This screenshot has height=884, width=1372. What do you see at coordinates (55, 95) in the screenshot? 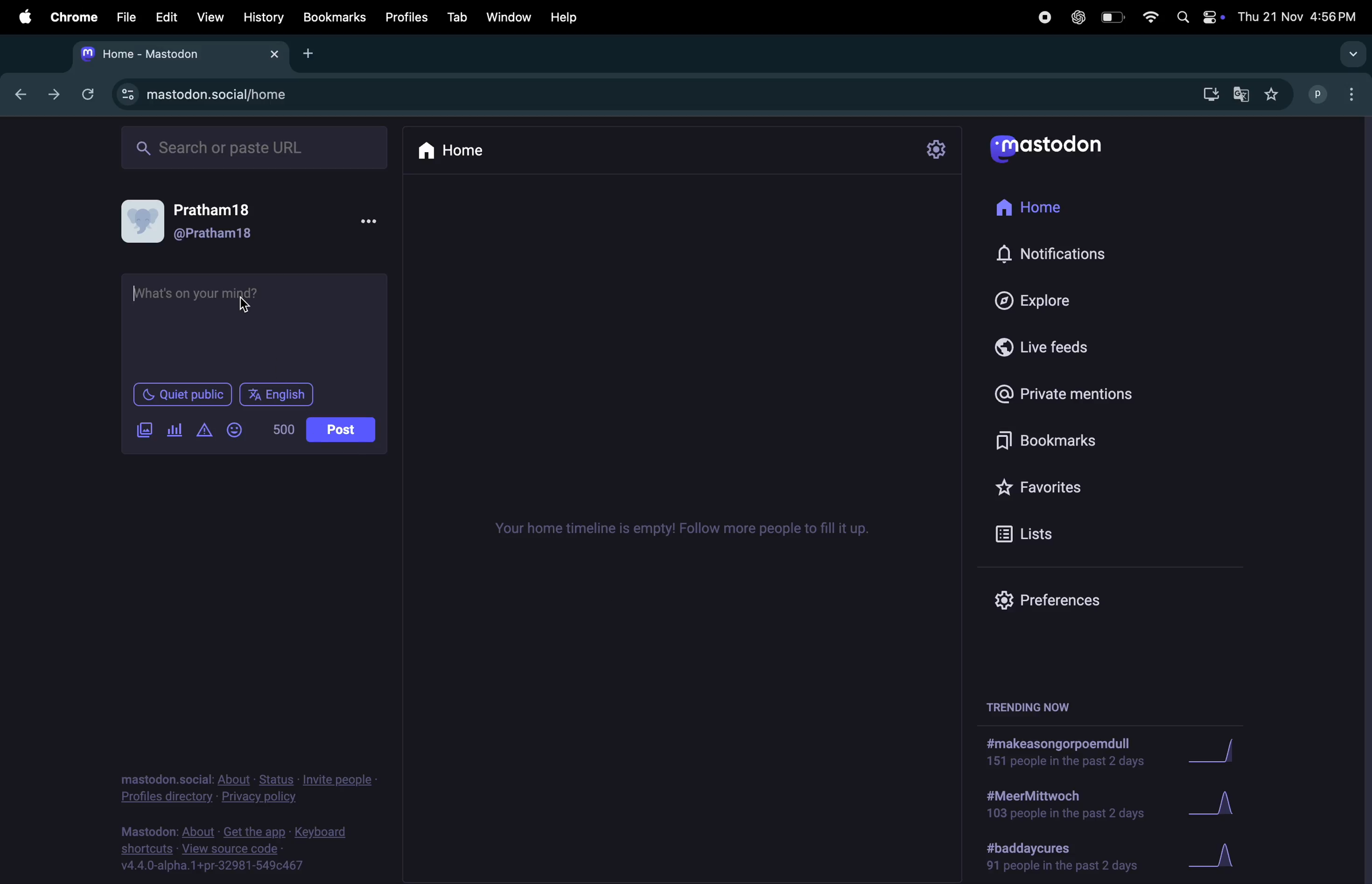
I see `next tab` at bounding box center [55, 95].